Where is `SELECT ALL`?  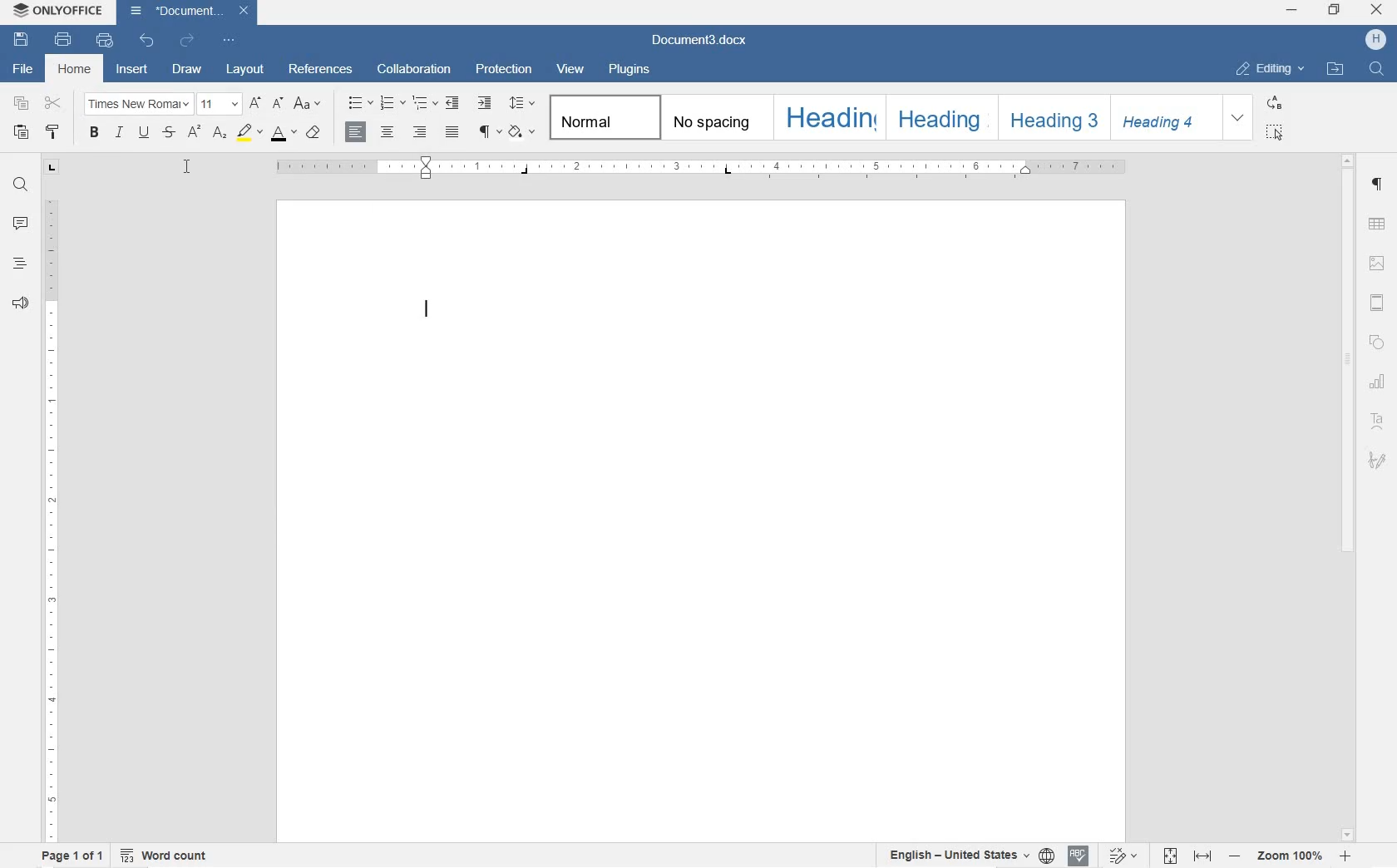
SELECT ALL is located at coordinates (1277, 133).